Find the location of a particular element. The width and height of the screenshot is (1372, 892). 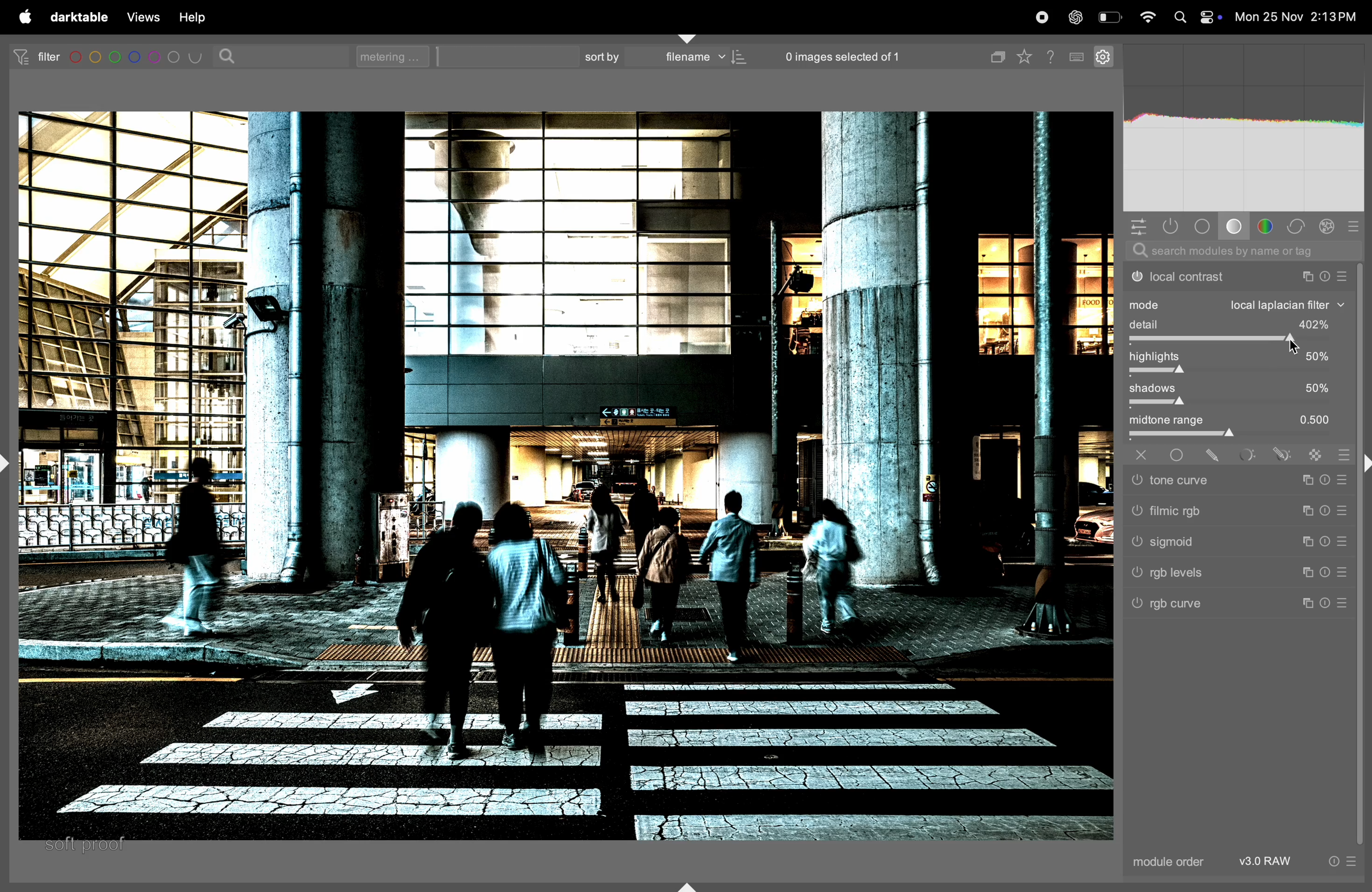

shown activity is located at coordinates (1174, 227).